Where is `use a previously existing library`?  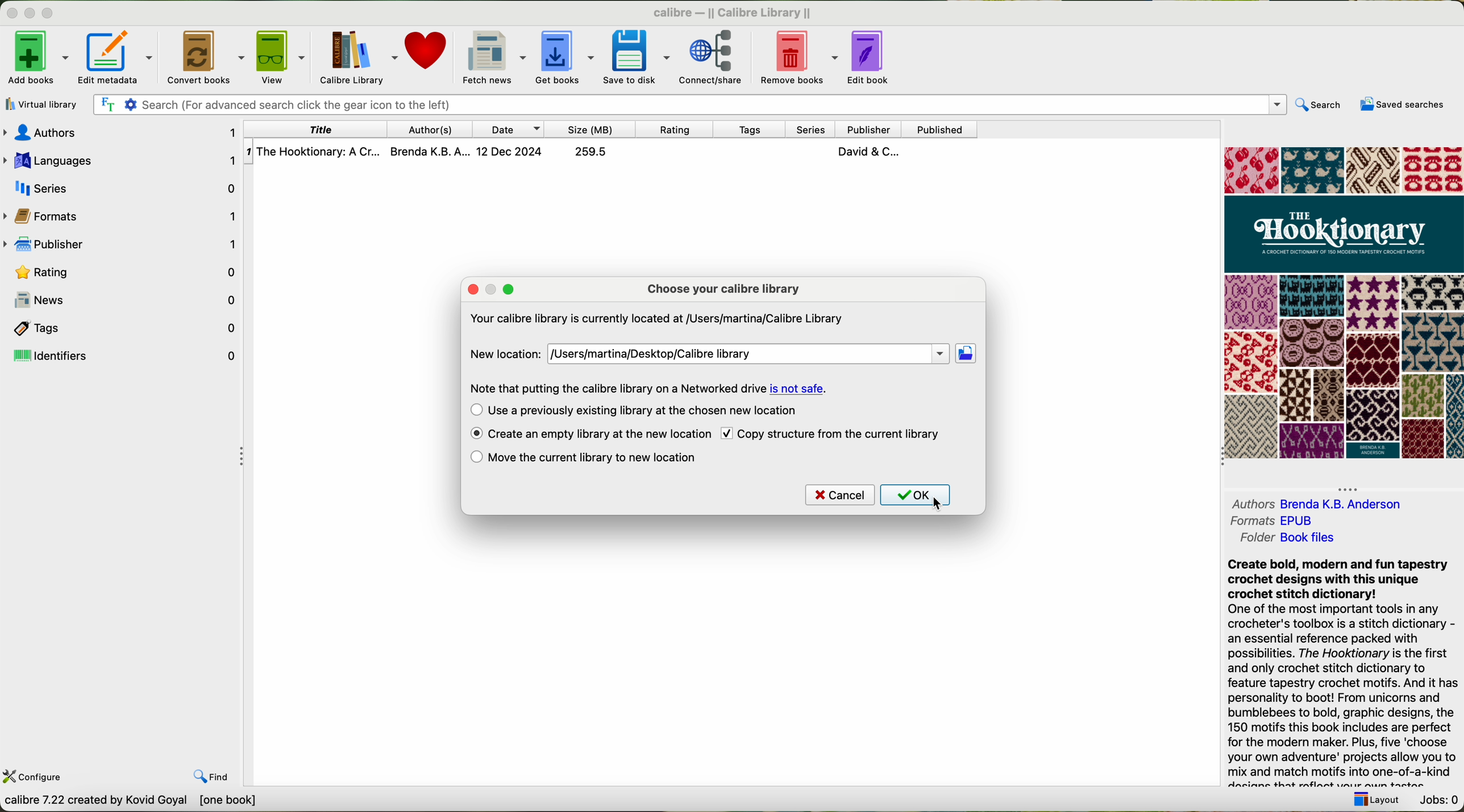
use a previously existing library is located at coordinates (647, 410).